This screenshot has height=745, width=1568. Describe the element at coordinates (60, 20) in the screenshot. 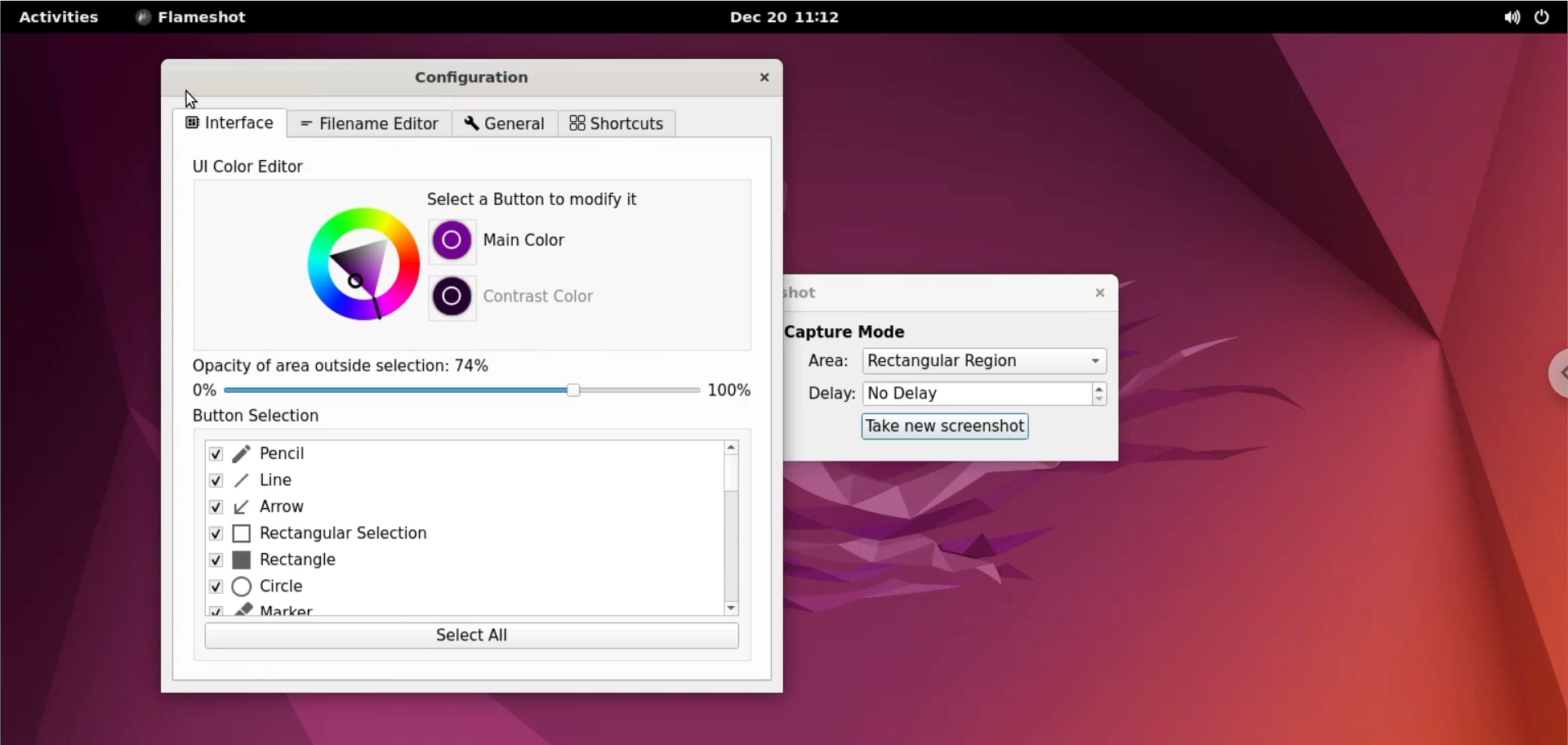

I see `activities` at that location.